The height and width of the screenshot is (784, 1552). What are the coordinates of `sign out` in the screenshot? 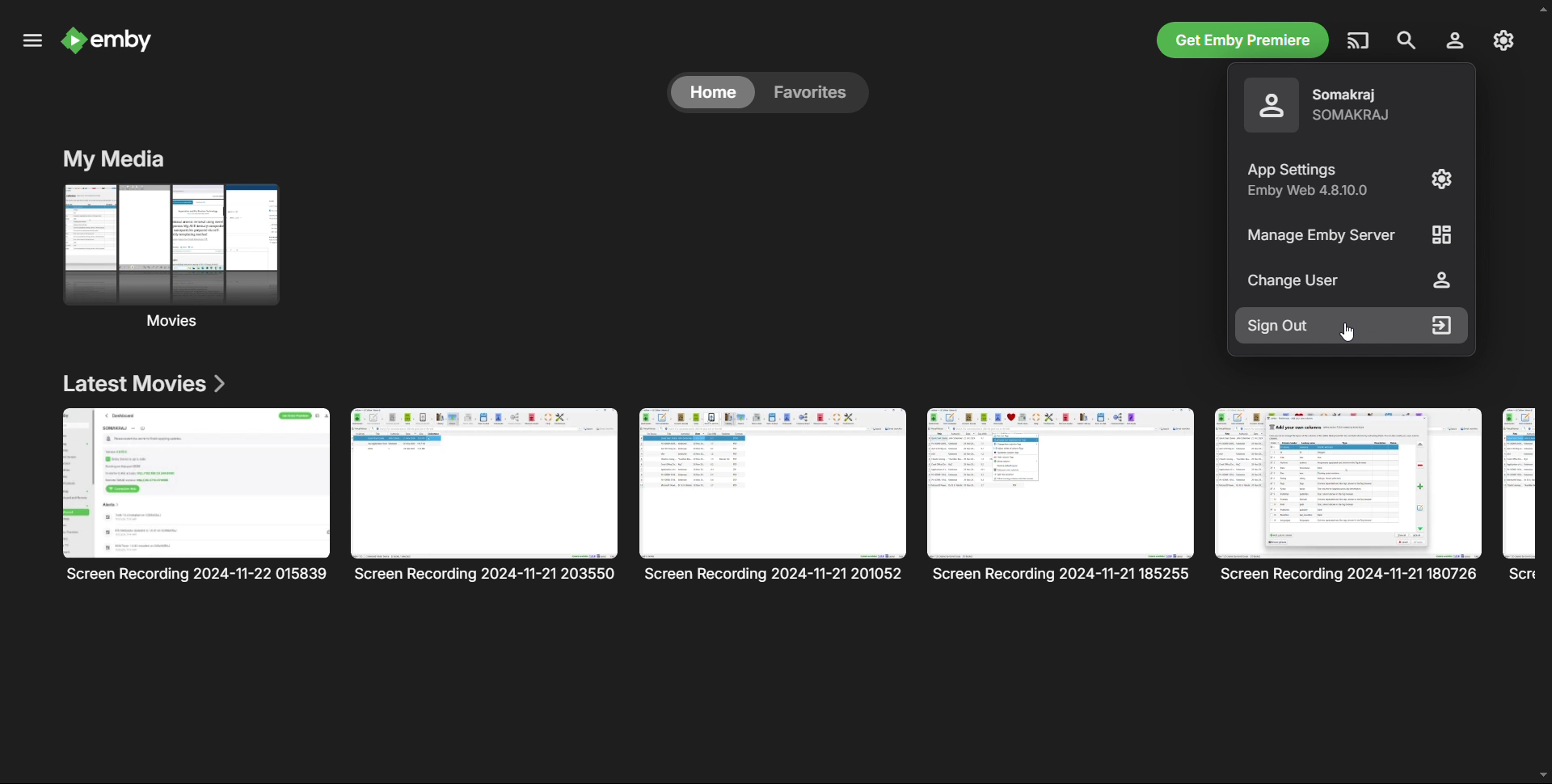 It's located at (1352, 327).